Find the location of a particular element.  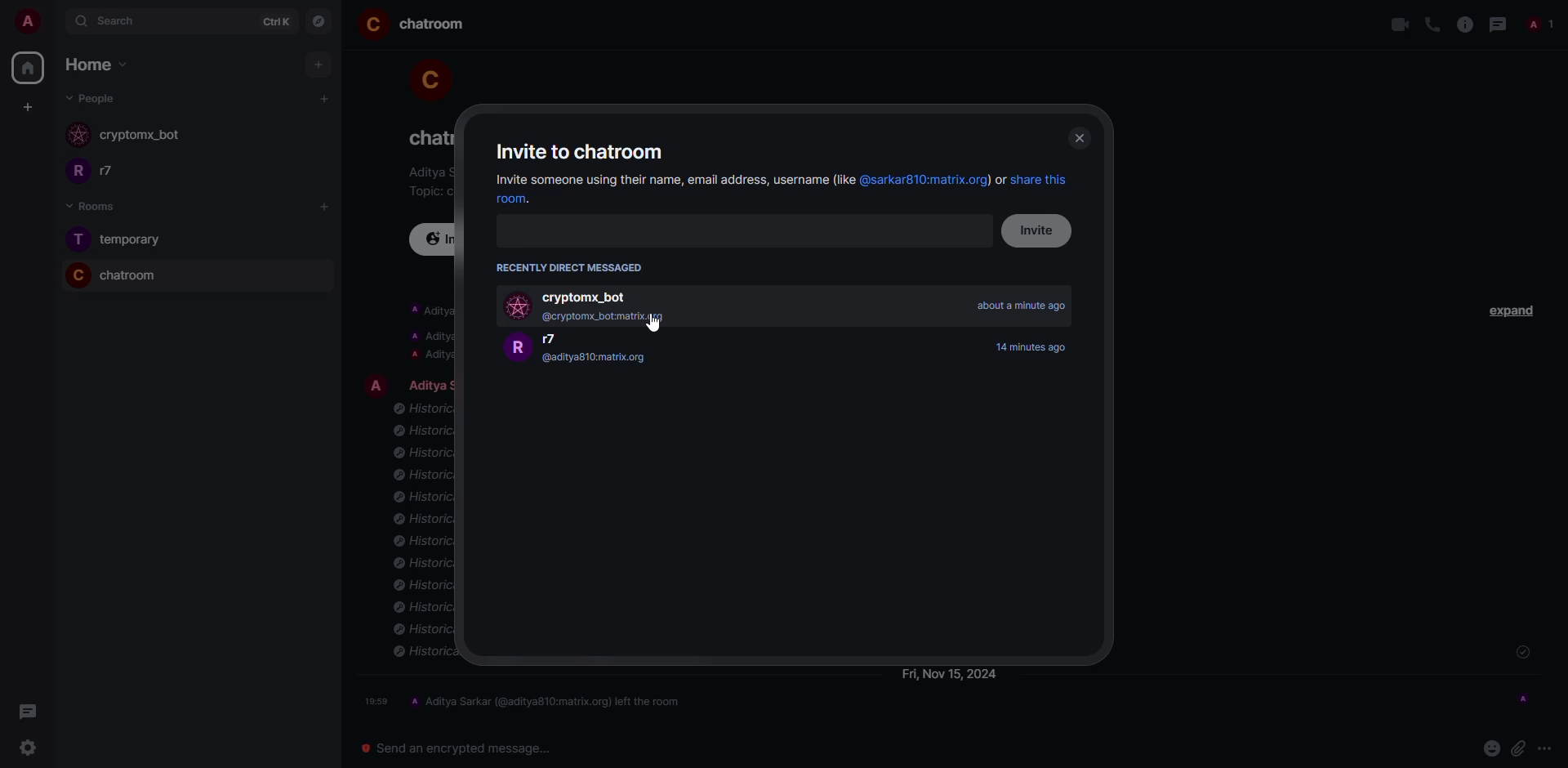

day is located at coordinates (951, 675).